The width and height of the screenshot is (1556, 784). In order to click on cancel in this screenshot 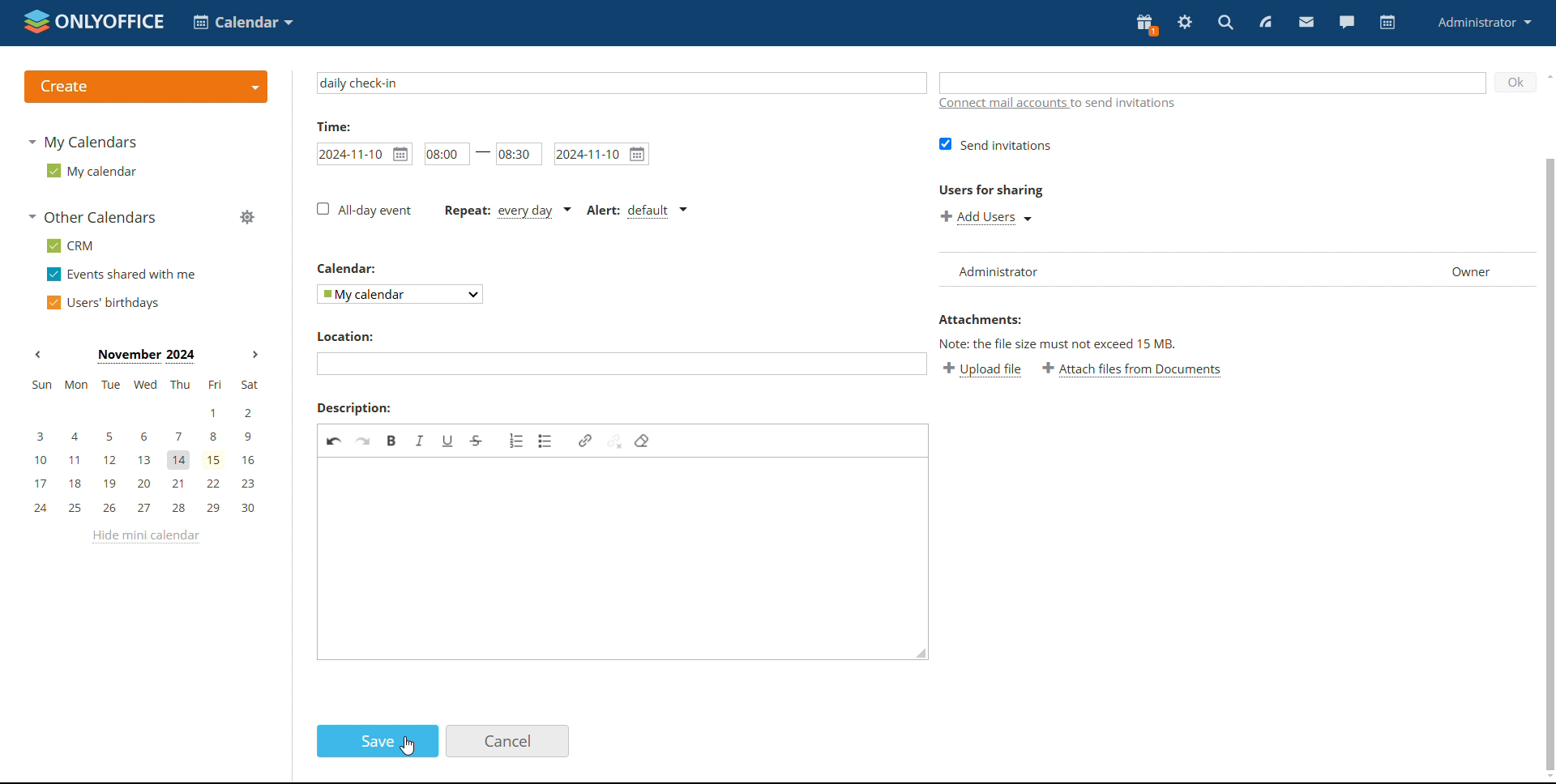, I will do `click(507, 741)`.